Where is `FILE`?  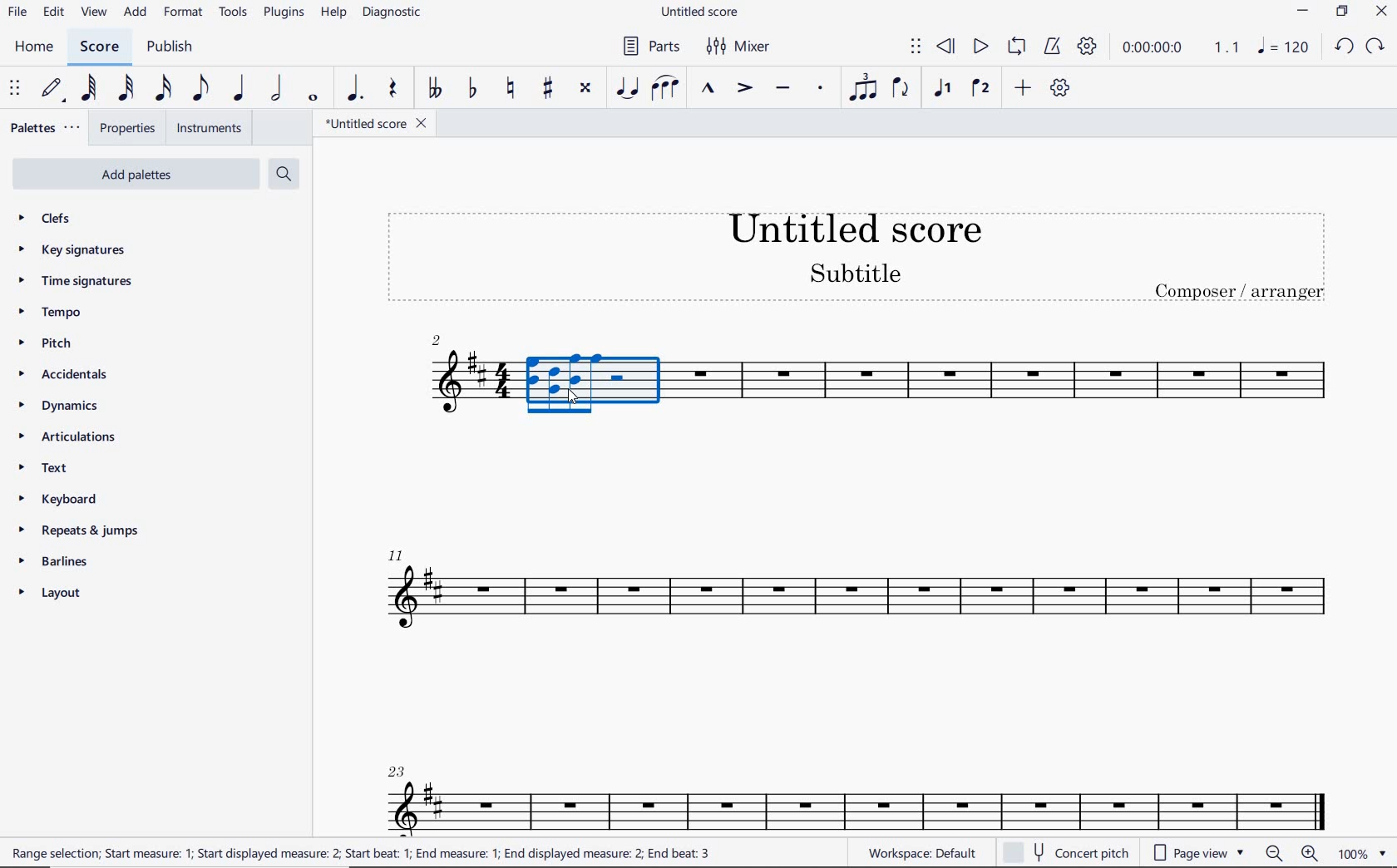 FILE is located at coordinates (17, 13).